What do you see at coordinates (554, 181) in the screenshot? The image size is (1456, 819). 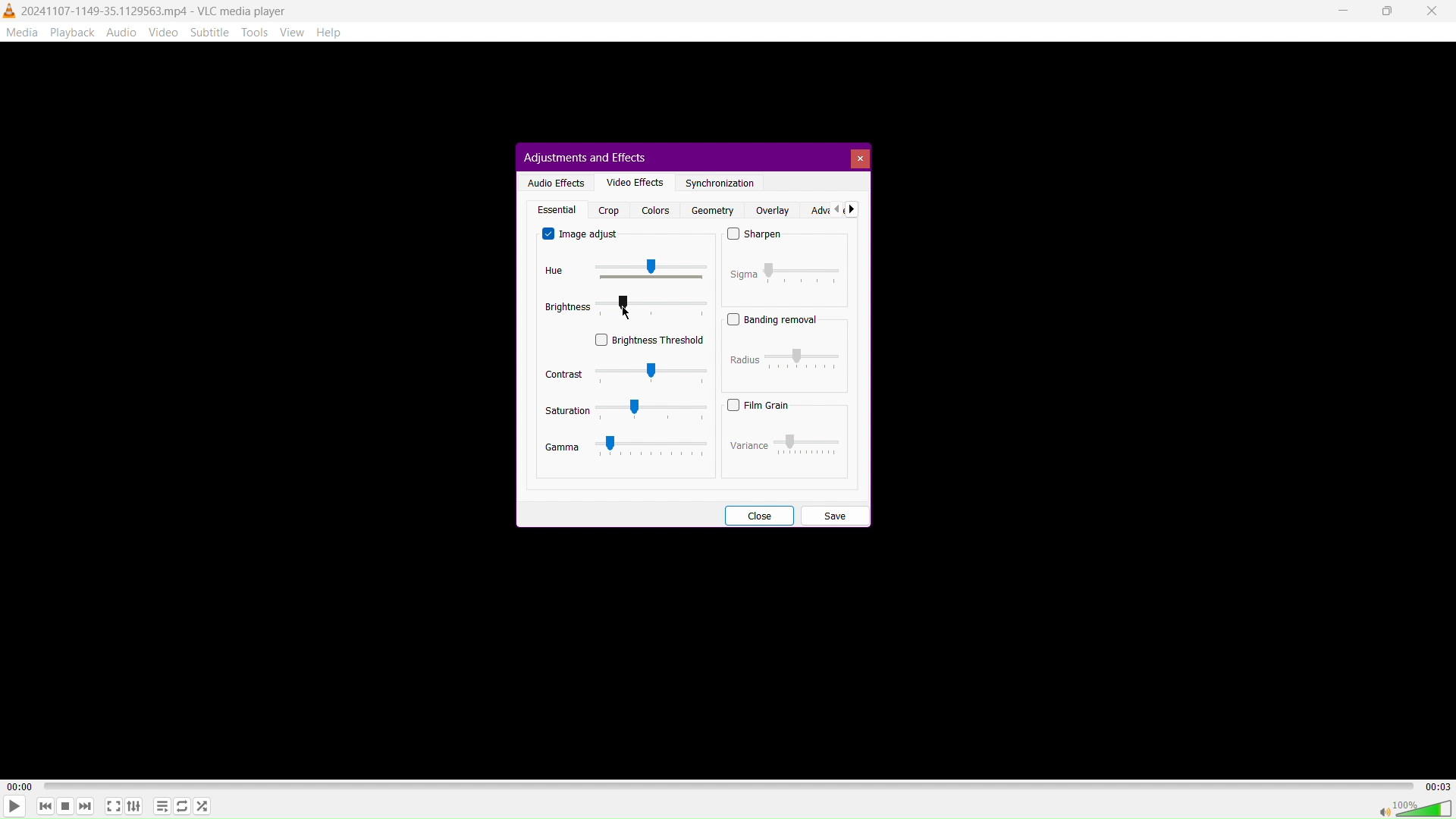 I see `Audio Effects` at bounding box center [554, 181].